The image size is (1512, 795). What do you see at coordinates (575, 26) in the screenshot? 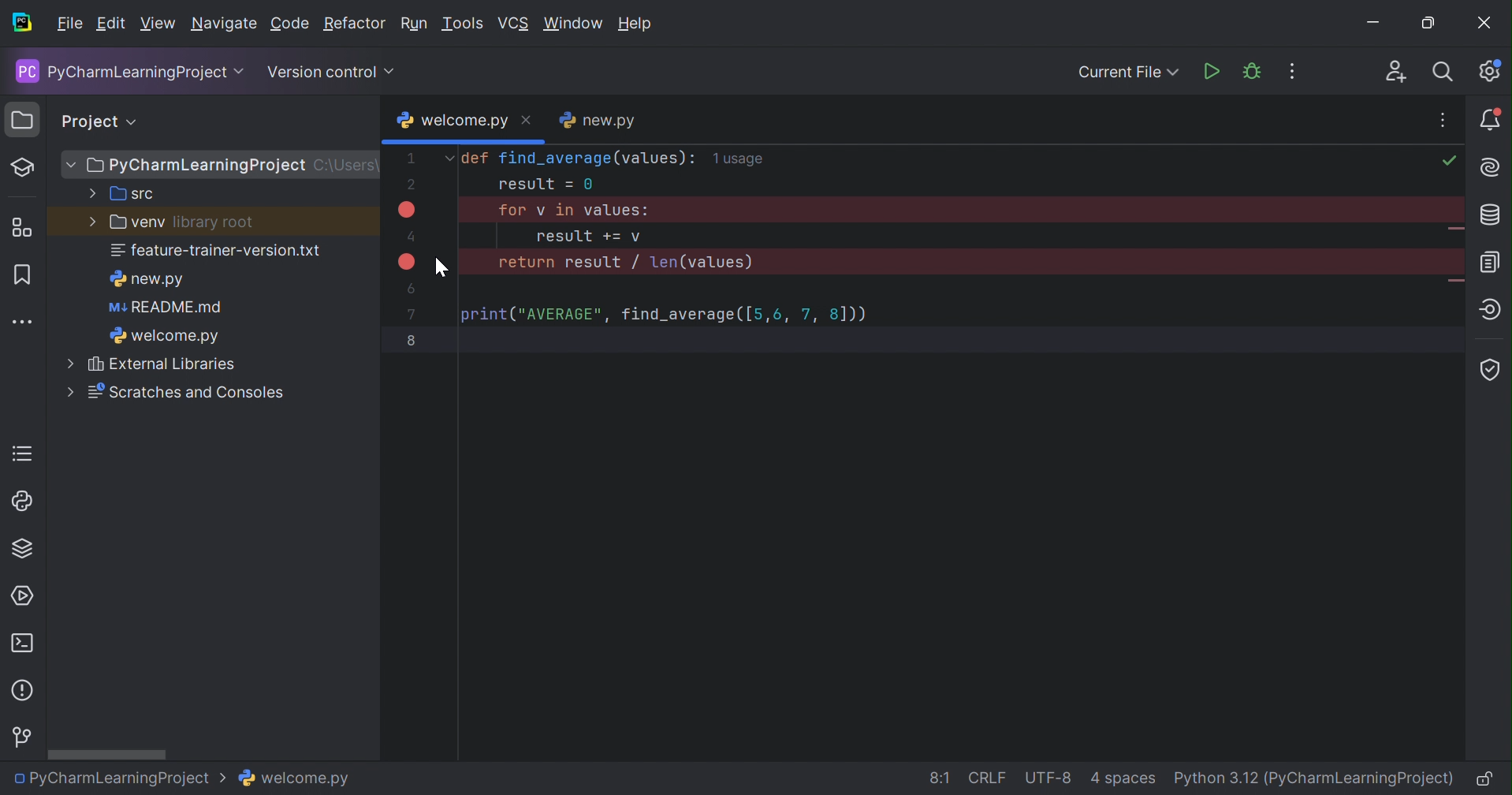
I see `Window` at bounding box center [575, 26].